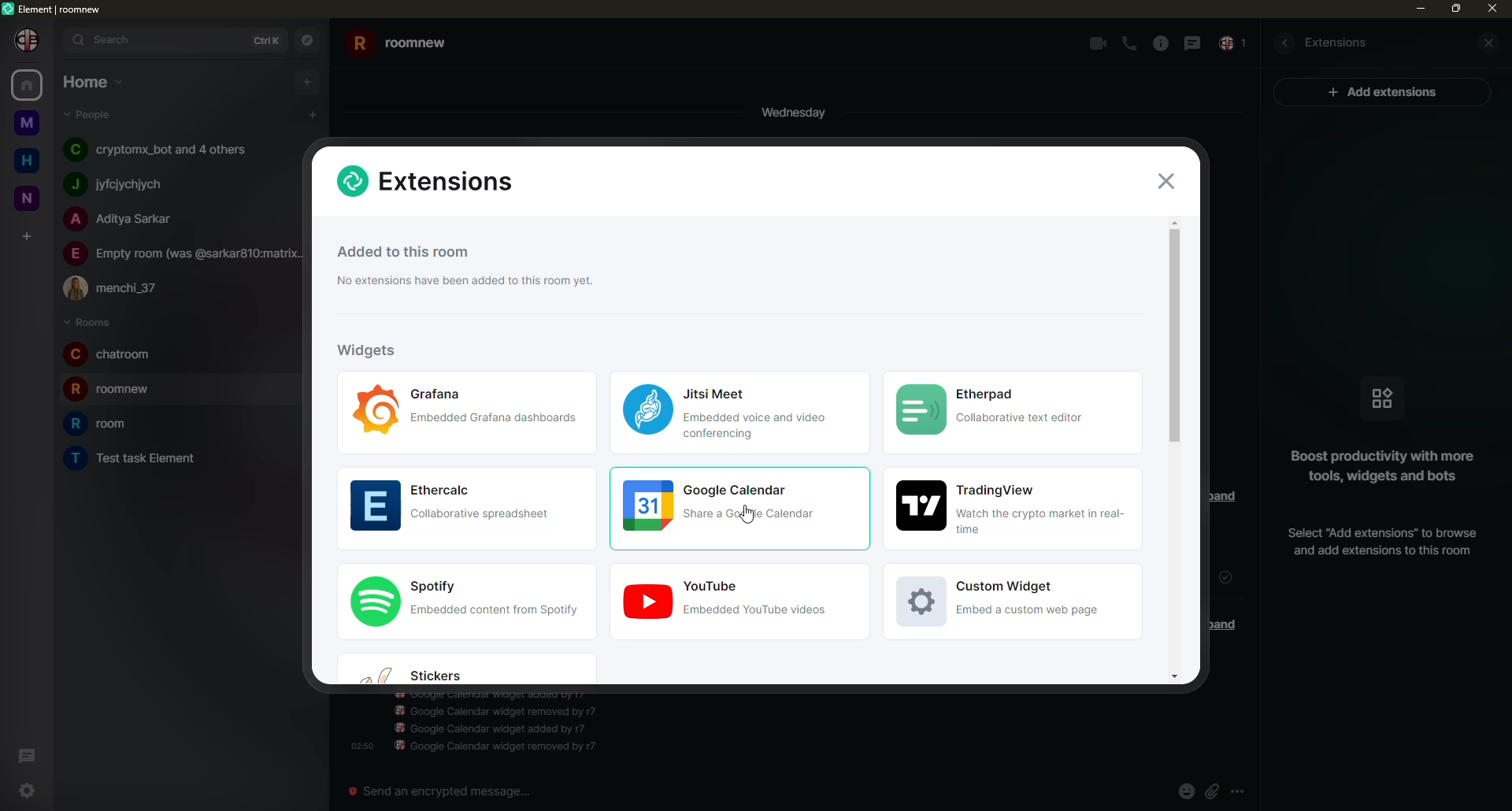  I want to click on search, so click(106, 42).